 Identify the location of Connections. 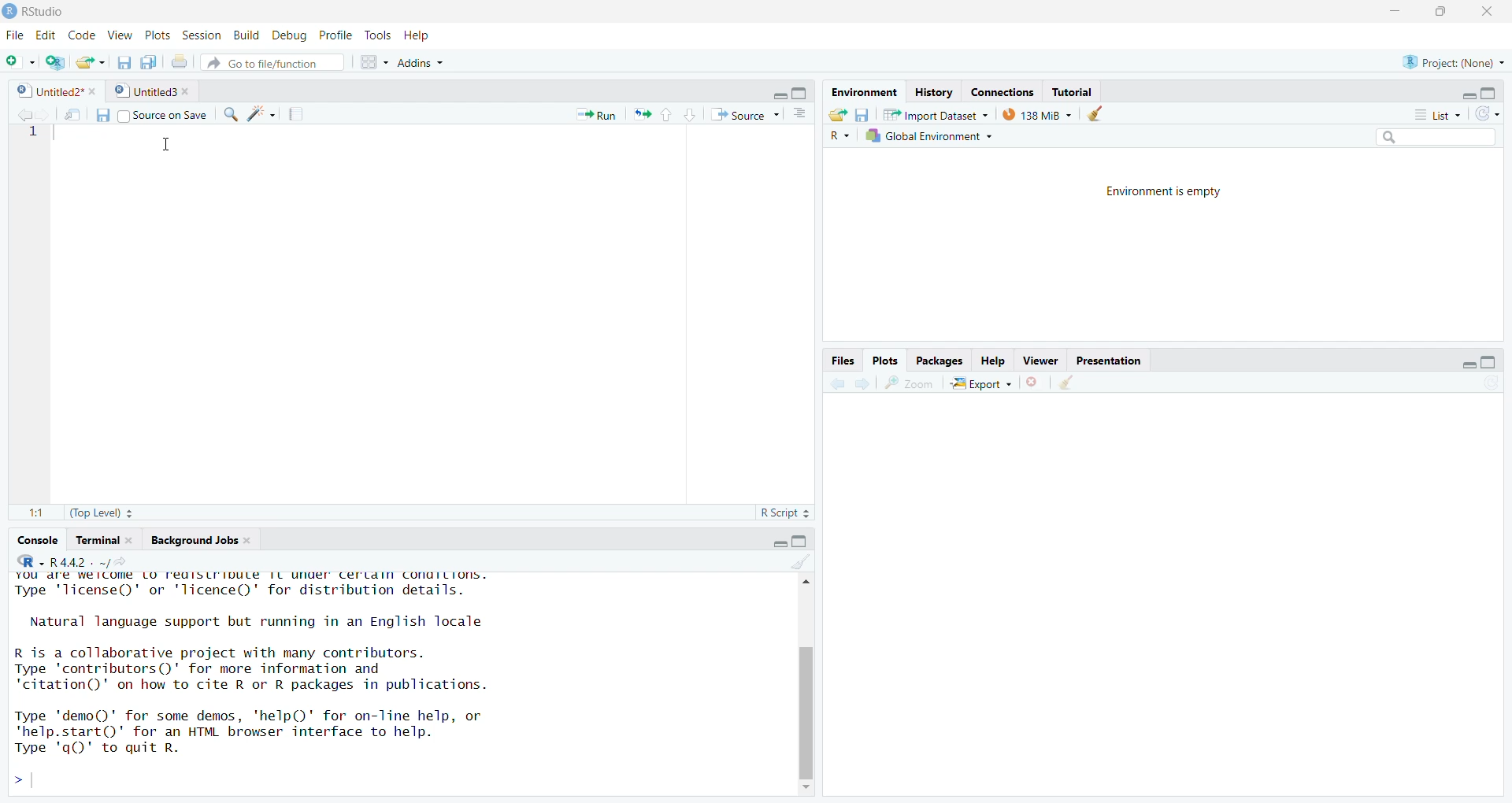
(1001, 90).